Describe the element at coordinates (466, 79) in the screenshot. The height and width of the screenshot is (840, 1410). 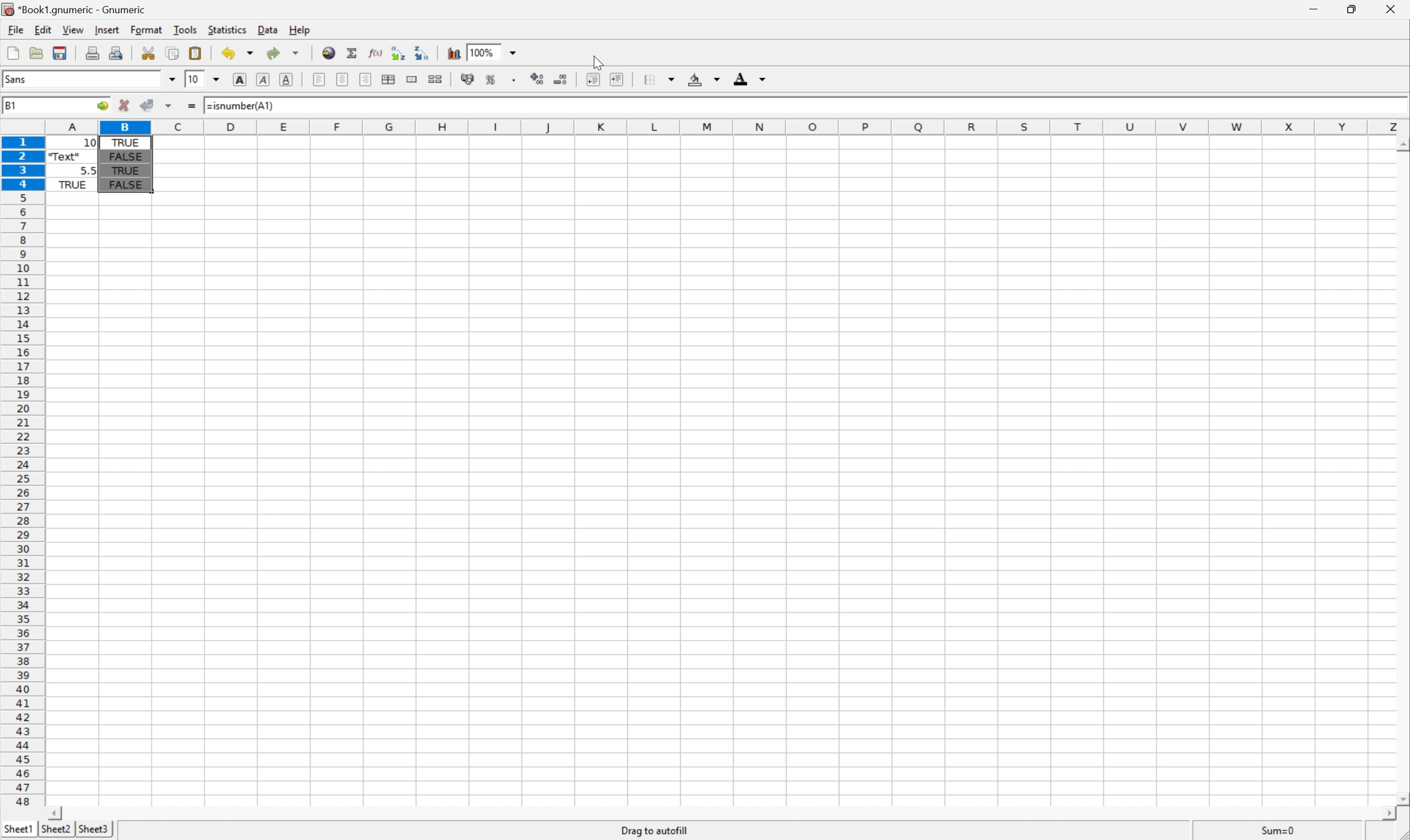
I see `Format selection as accounting` at that location.